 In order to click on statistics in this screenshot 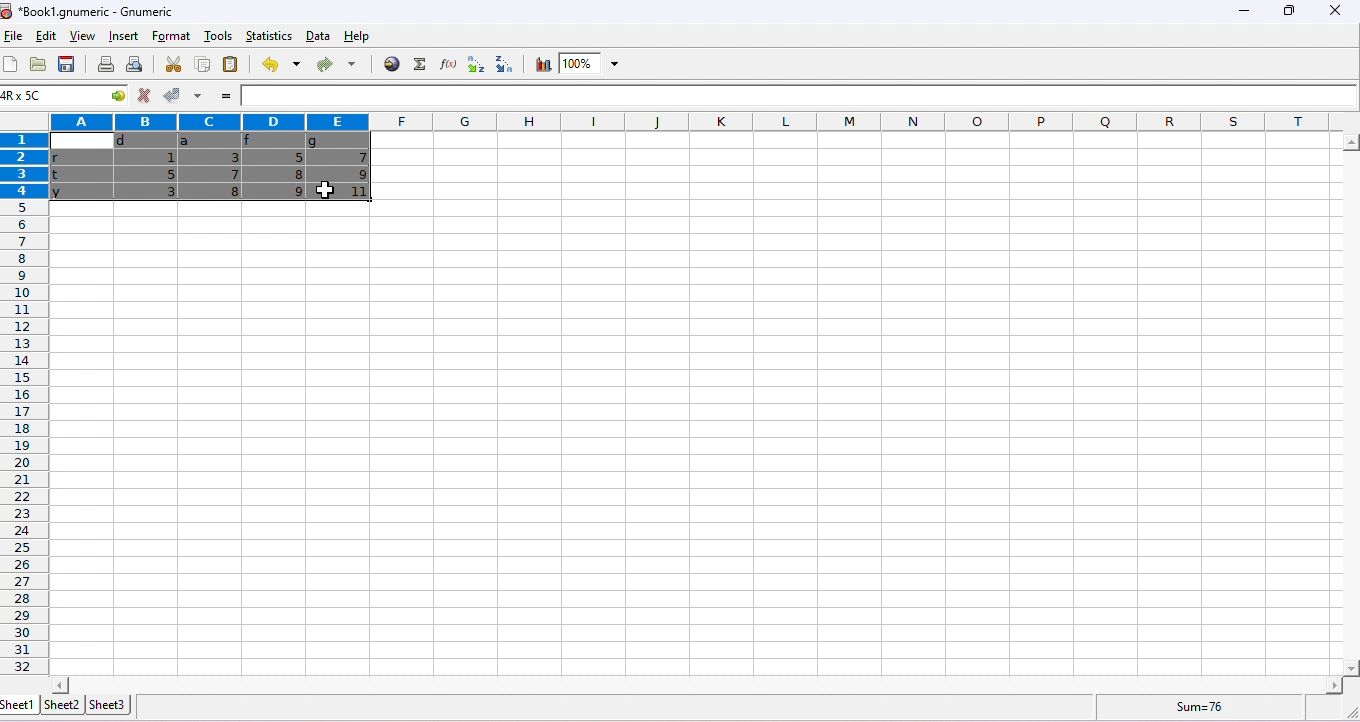, I will do `click(267, 35)`.